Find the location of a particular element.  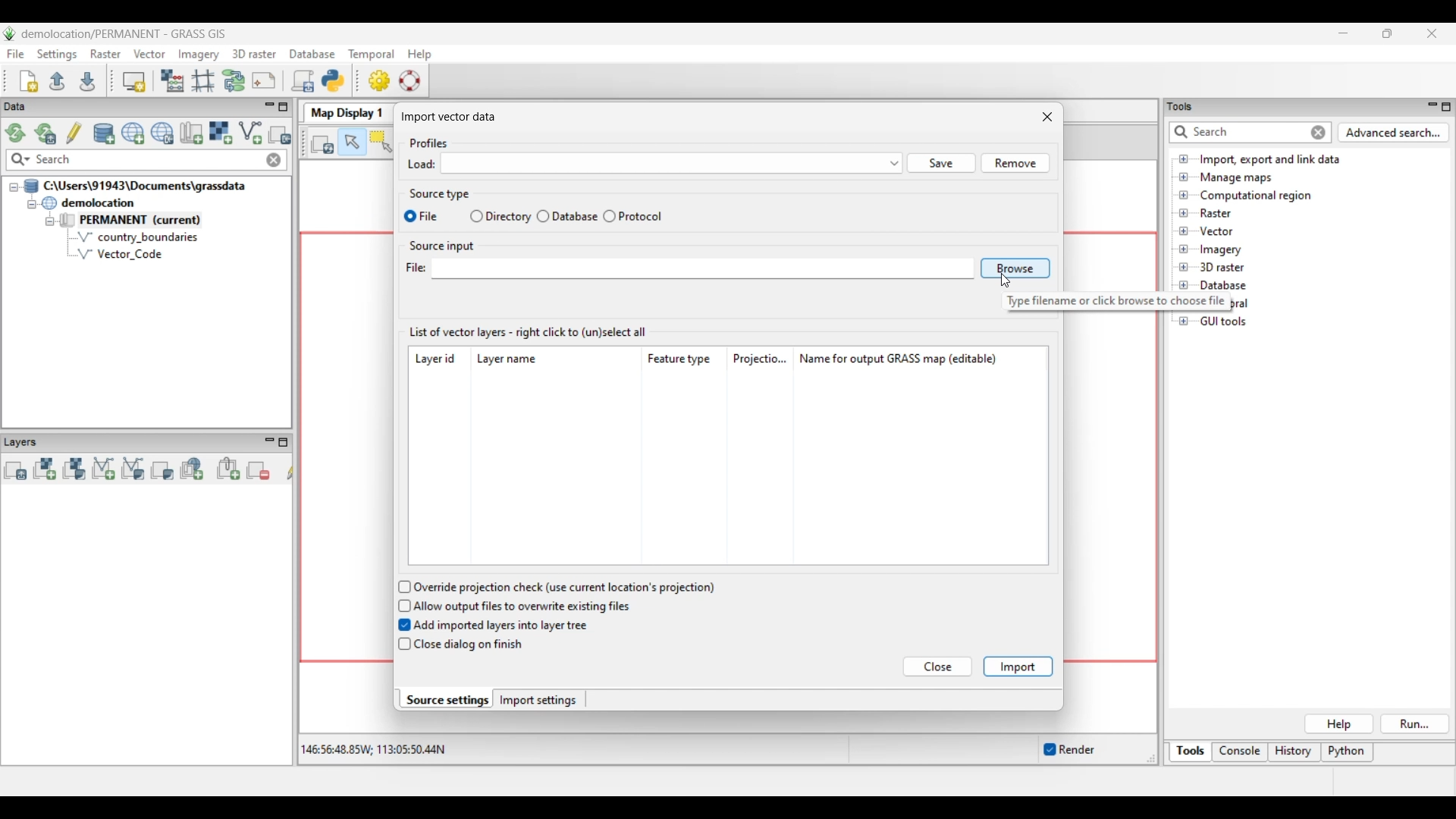

Click to open files under Import, export and link data is located at coordinates (1184, 158).